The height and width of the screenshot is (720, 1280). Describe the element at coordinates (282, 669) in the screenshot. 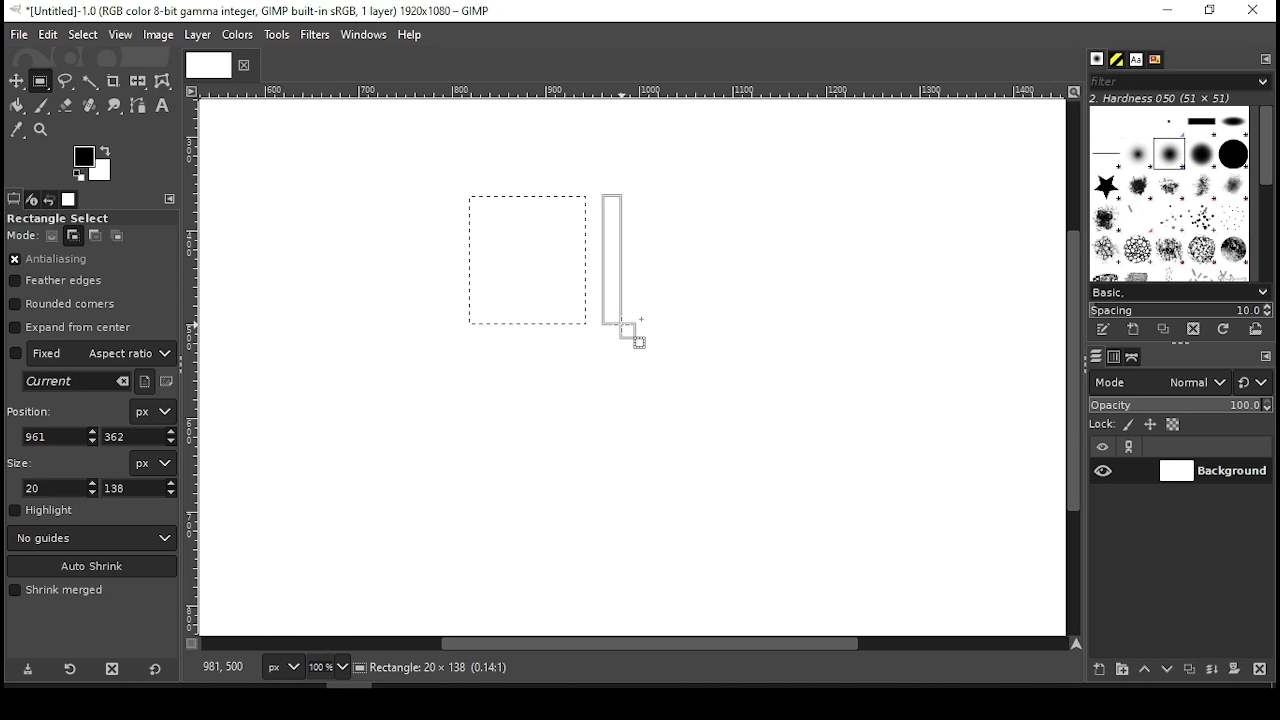

I see `px` at that location.